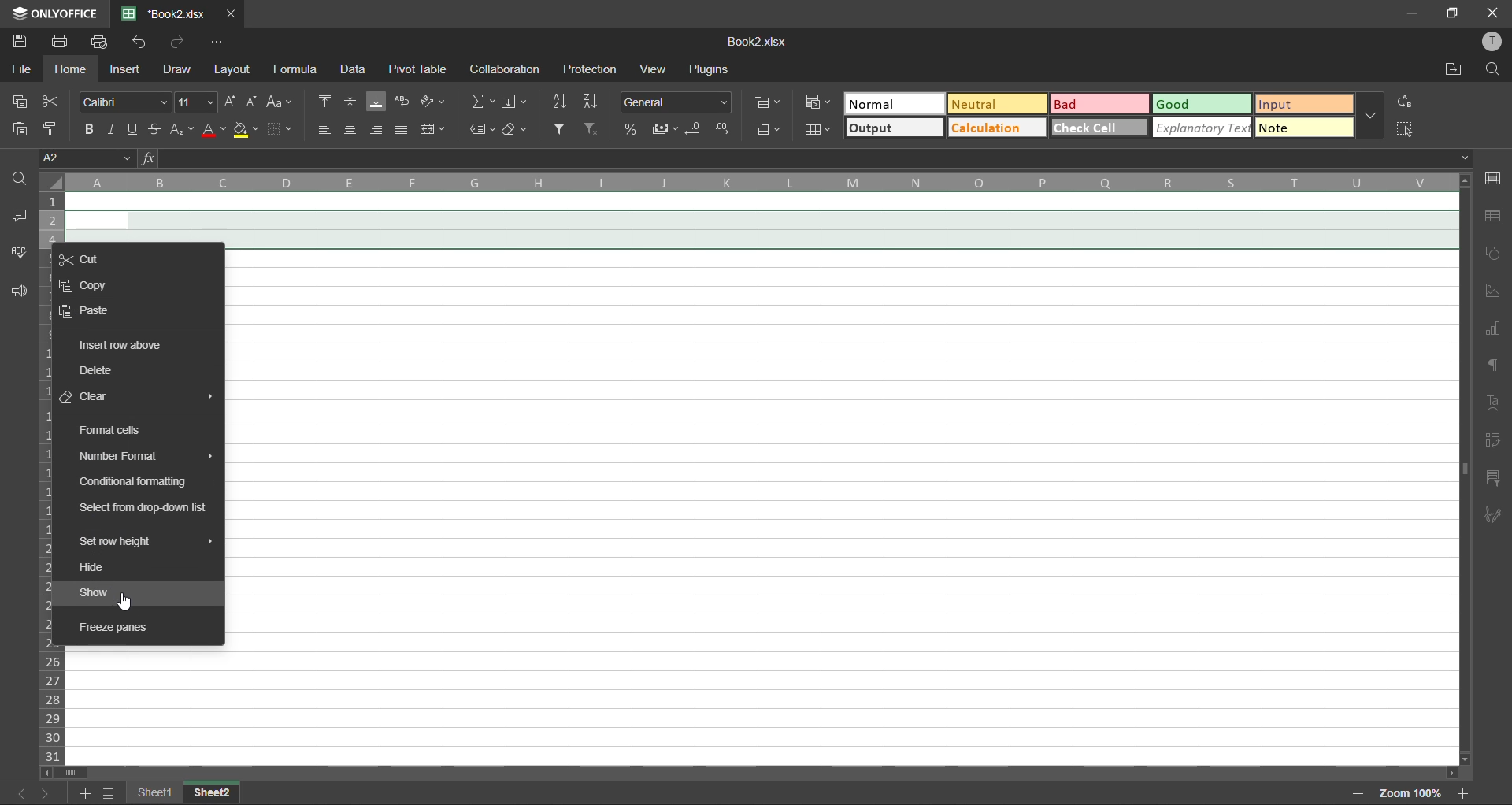 The height and width of the screenshot is (805, 1512). I want to click on layout, so click(229, 69).